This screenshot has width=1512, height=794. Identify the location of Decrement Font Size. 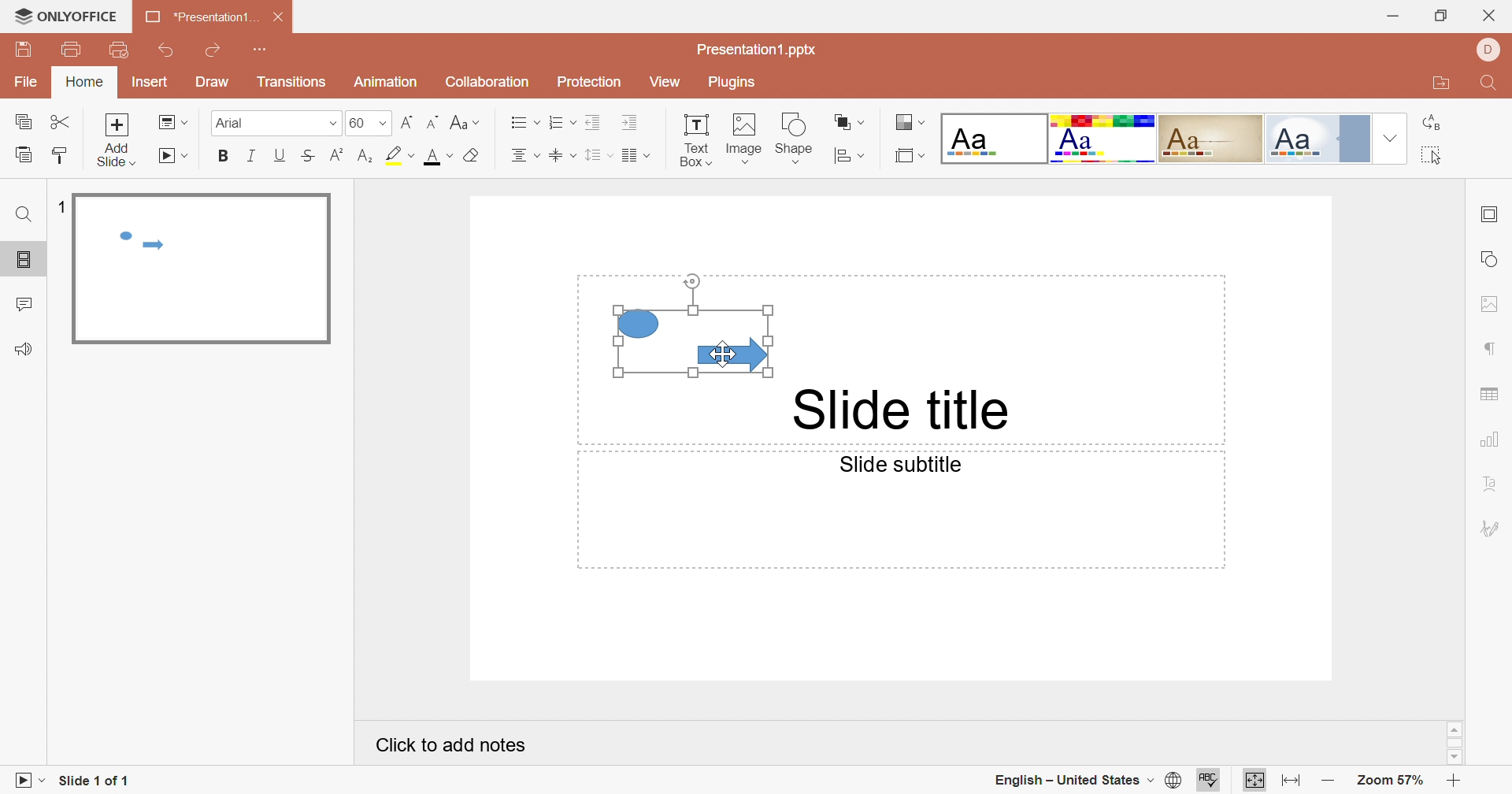
(432, 118).